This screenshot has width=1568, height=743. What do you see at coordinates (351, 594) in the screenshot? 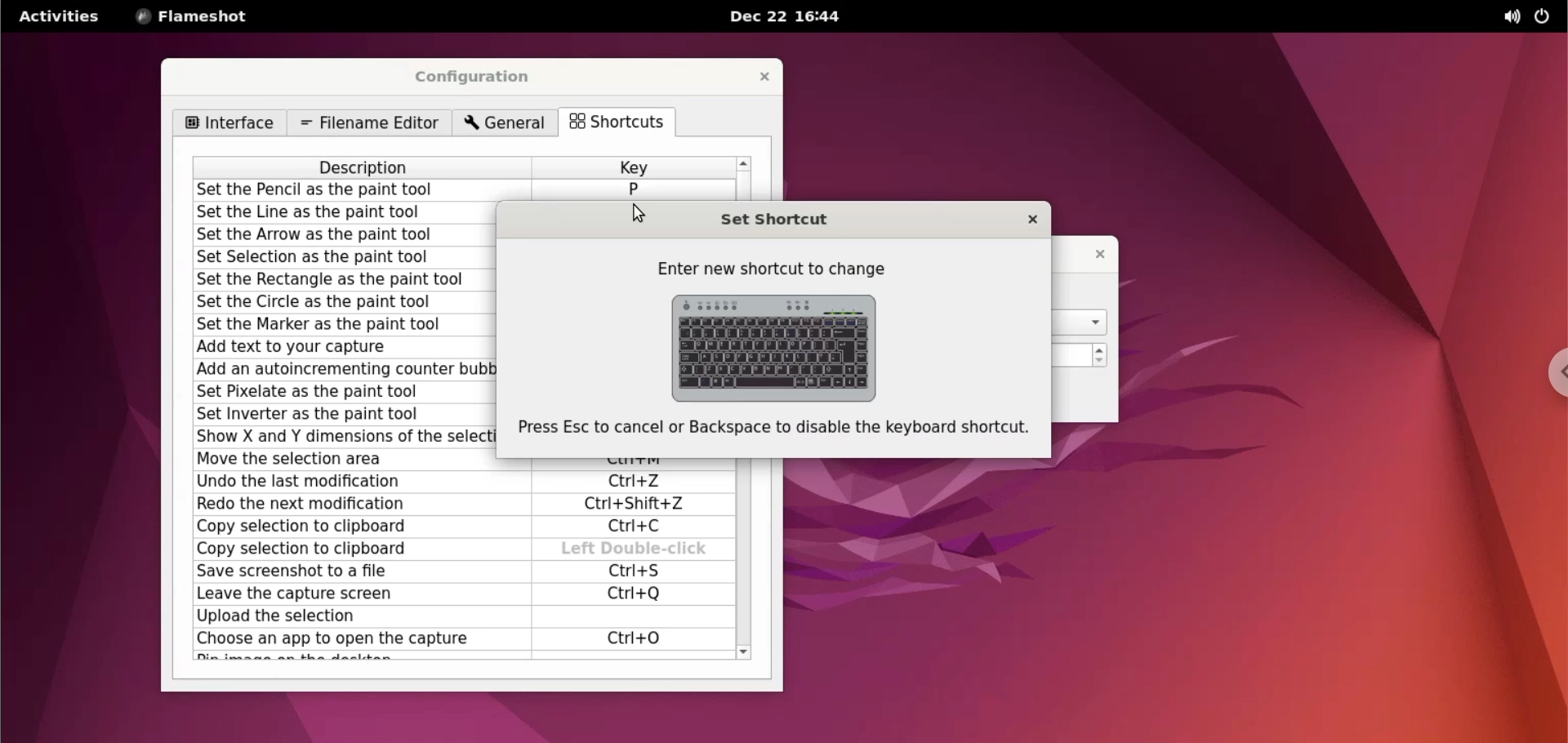
I see `leave the capture screen` at bounding box center [351, 594].